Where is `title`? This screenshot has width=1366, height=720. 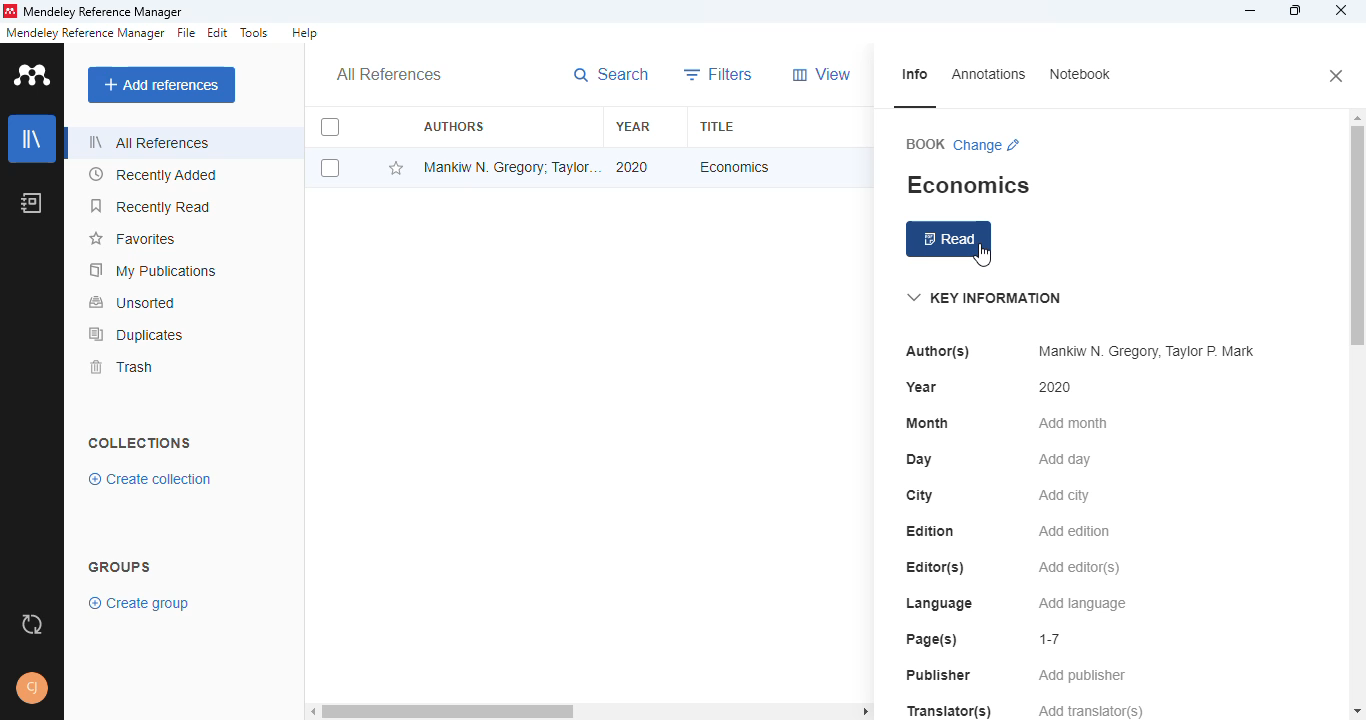 title is located at coordinates (718, 127).